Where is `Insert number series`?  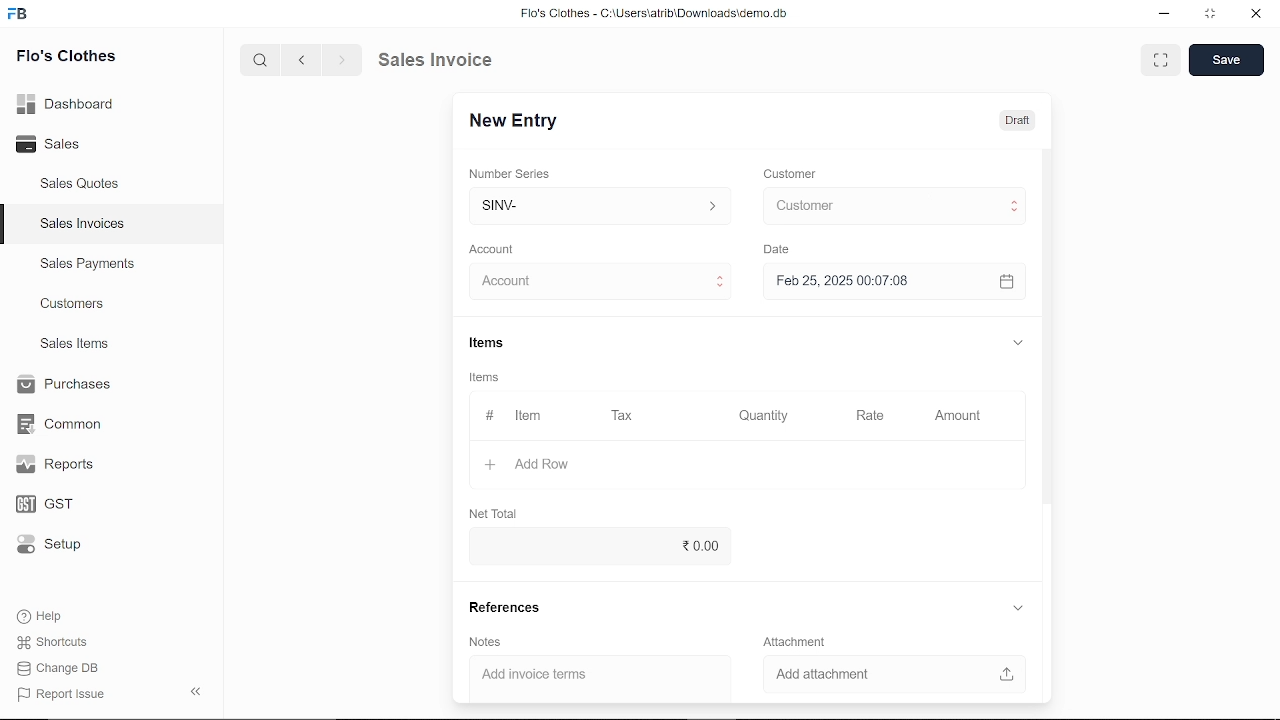
Insert number series is located at coordinates (601, 203).